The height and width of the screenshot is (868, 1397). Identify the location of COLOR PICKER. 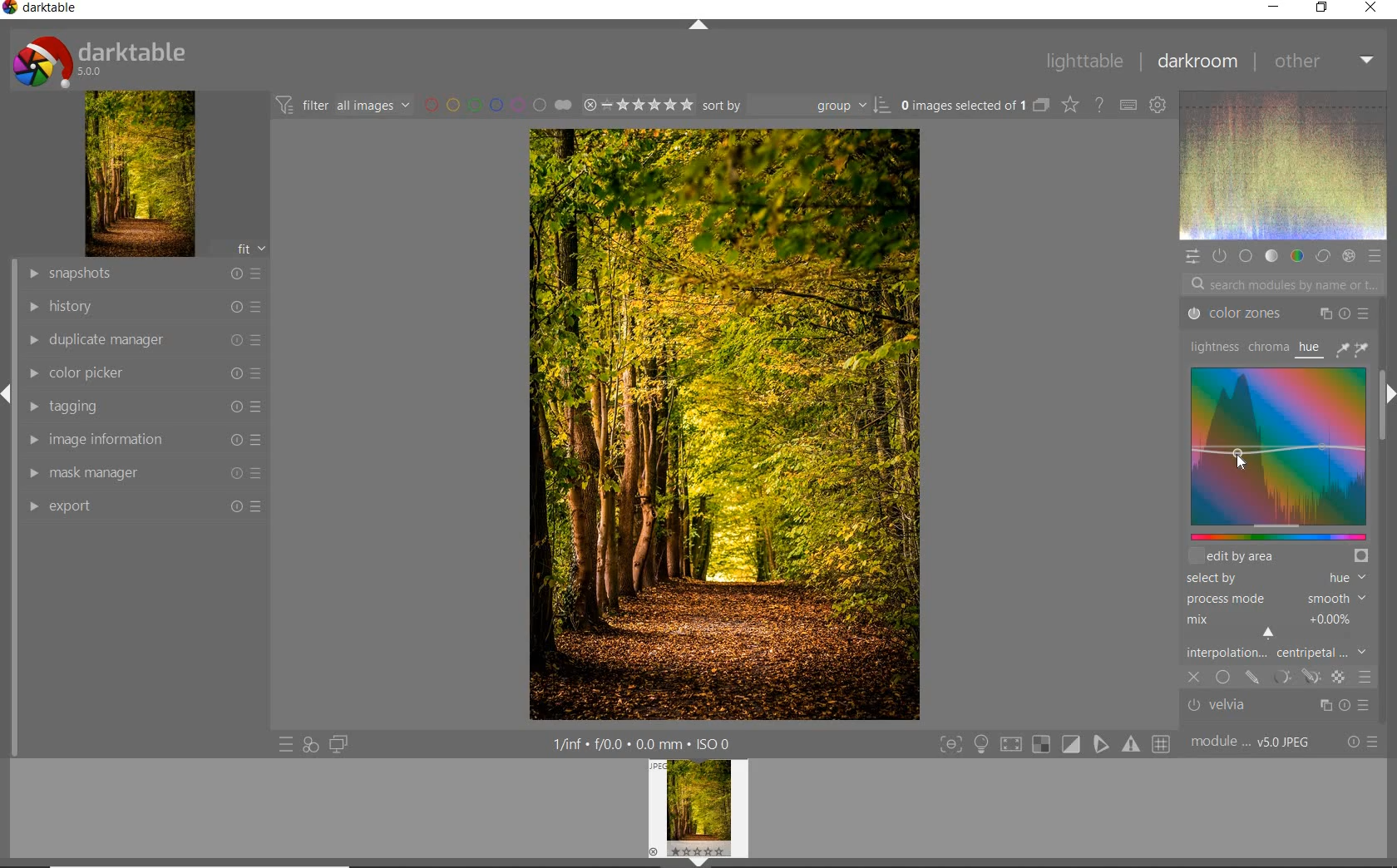
(141, 373).